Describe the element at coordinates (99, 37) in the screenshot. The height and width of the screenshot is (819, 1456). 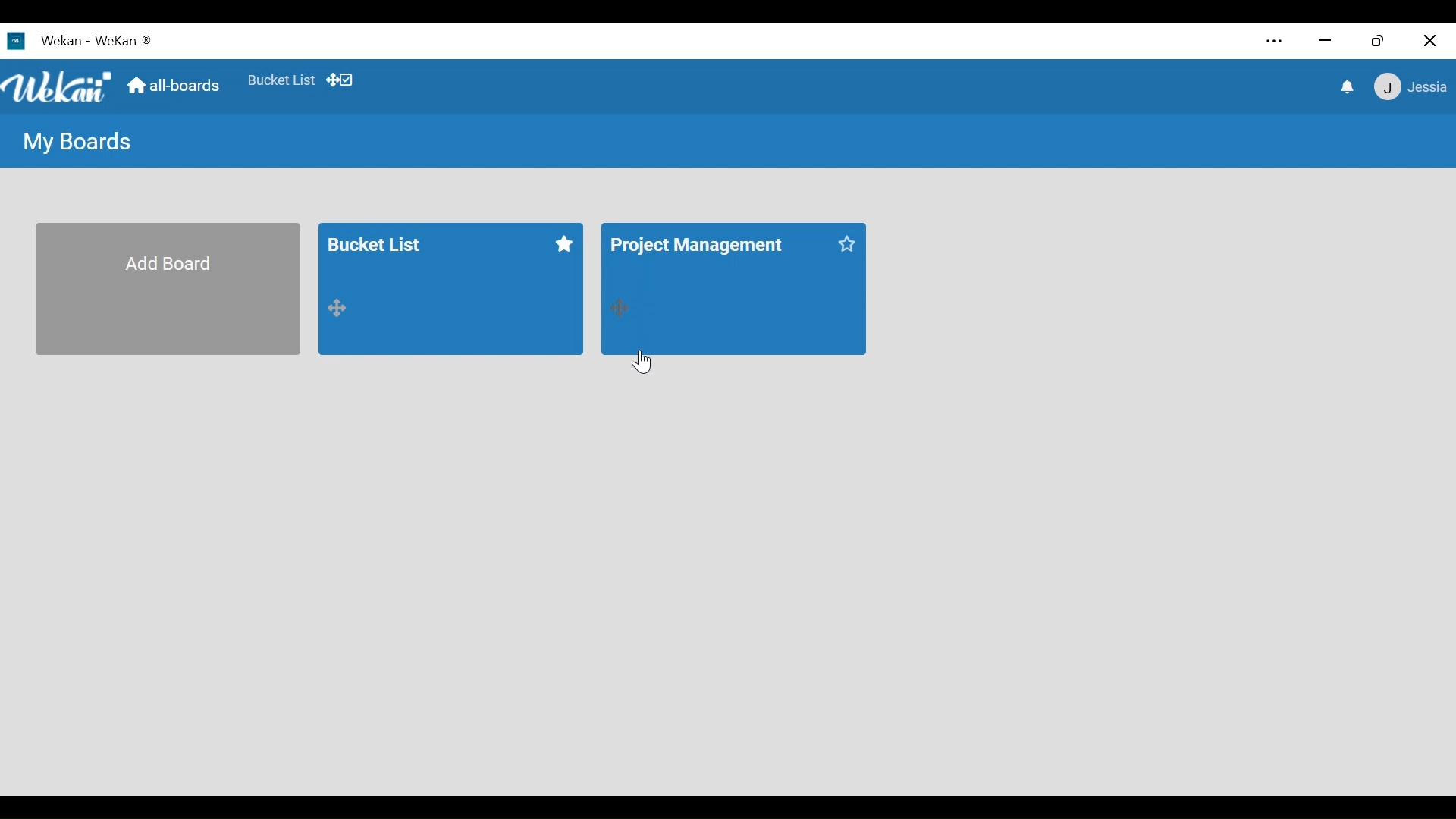
I see `Wekan - WeKan ®` at that location.